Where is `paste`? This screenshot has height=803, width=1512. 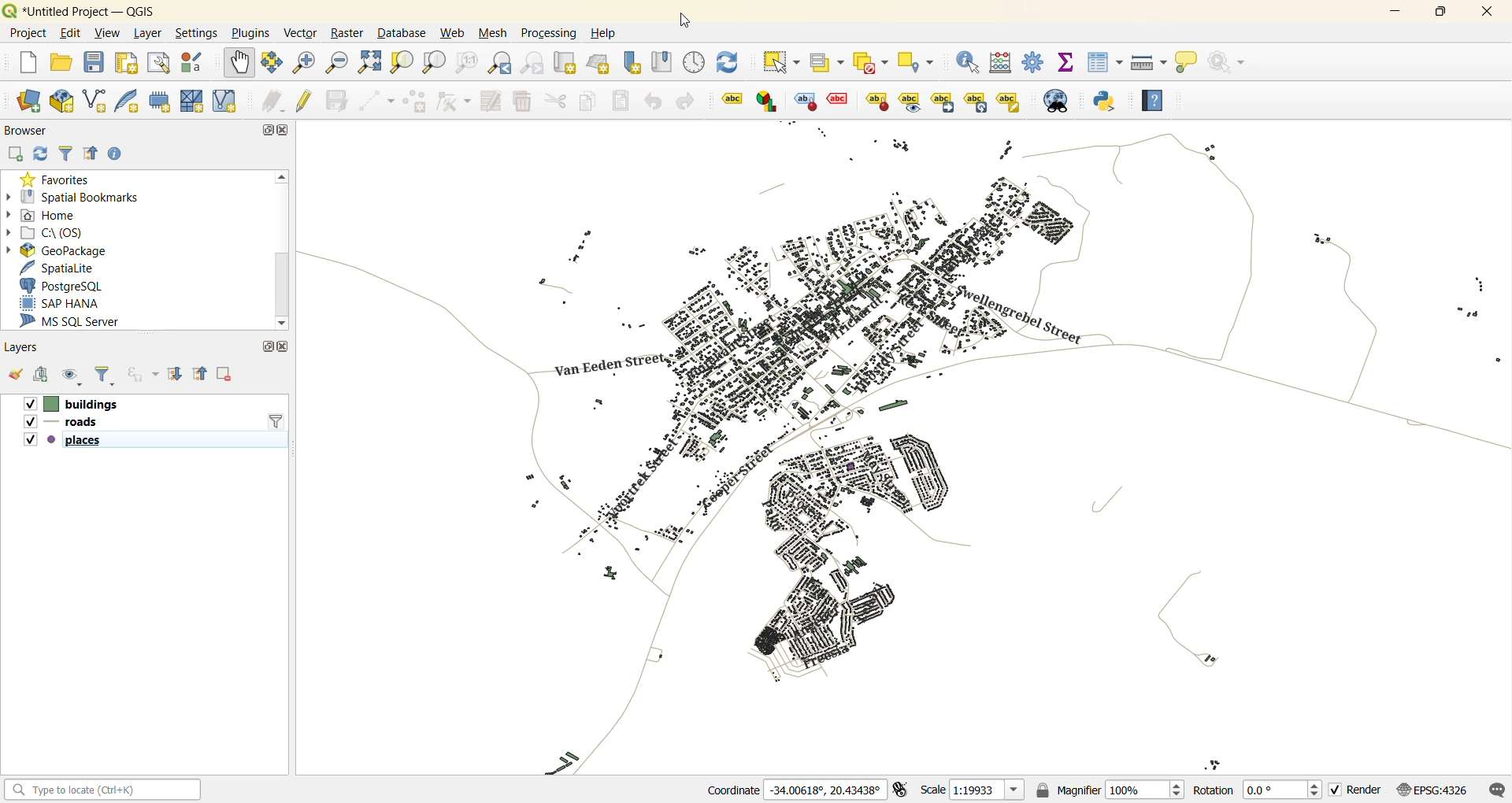 paste is located at coordinates (617, 101).